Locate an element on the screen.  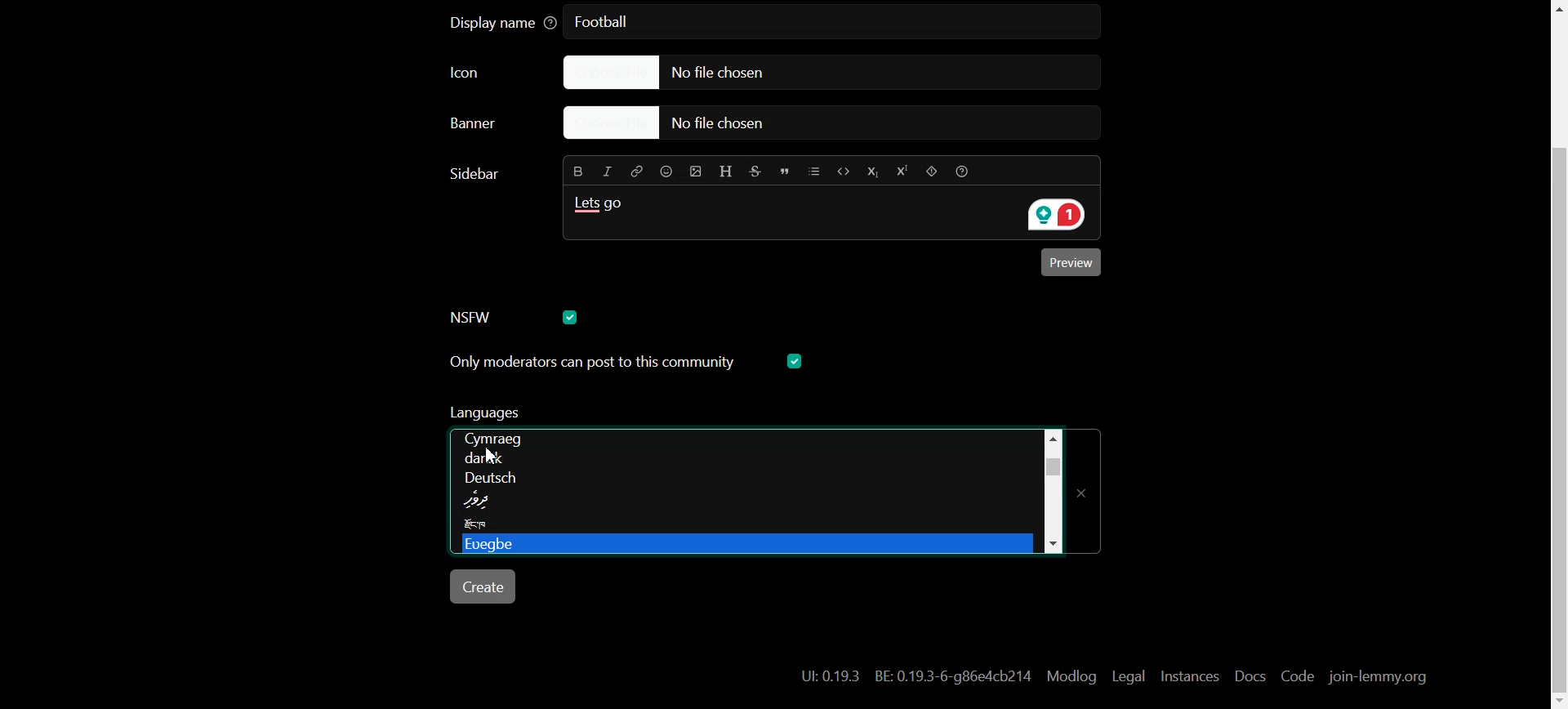
Bold is located at coordinates (576, 171).